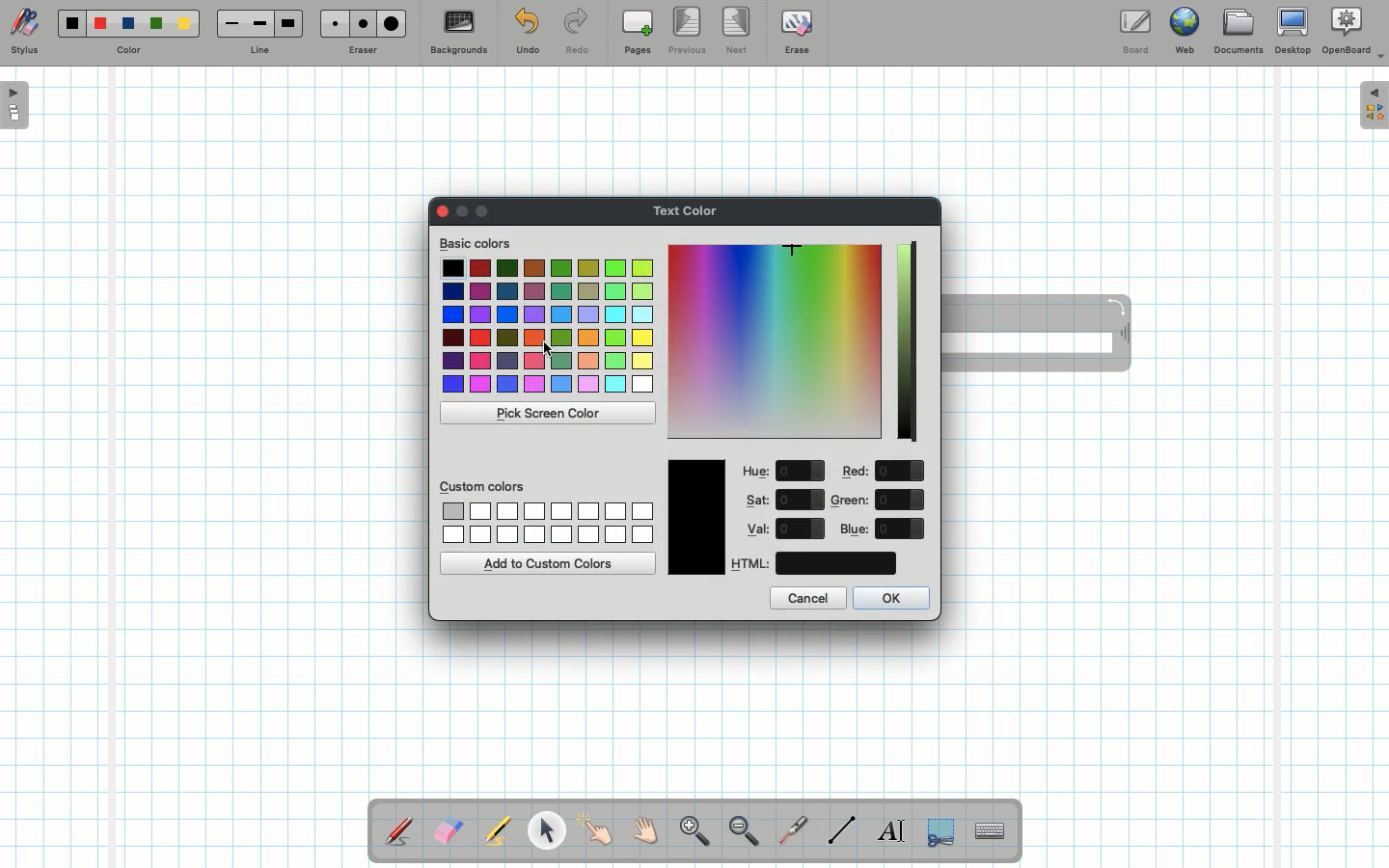 Image resolution: width=1389 pixels, height=868 pixels. I want to click on Blue, so click(129, 24).